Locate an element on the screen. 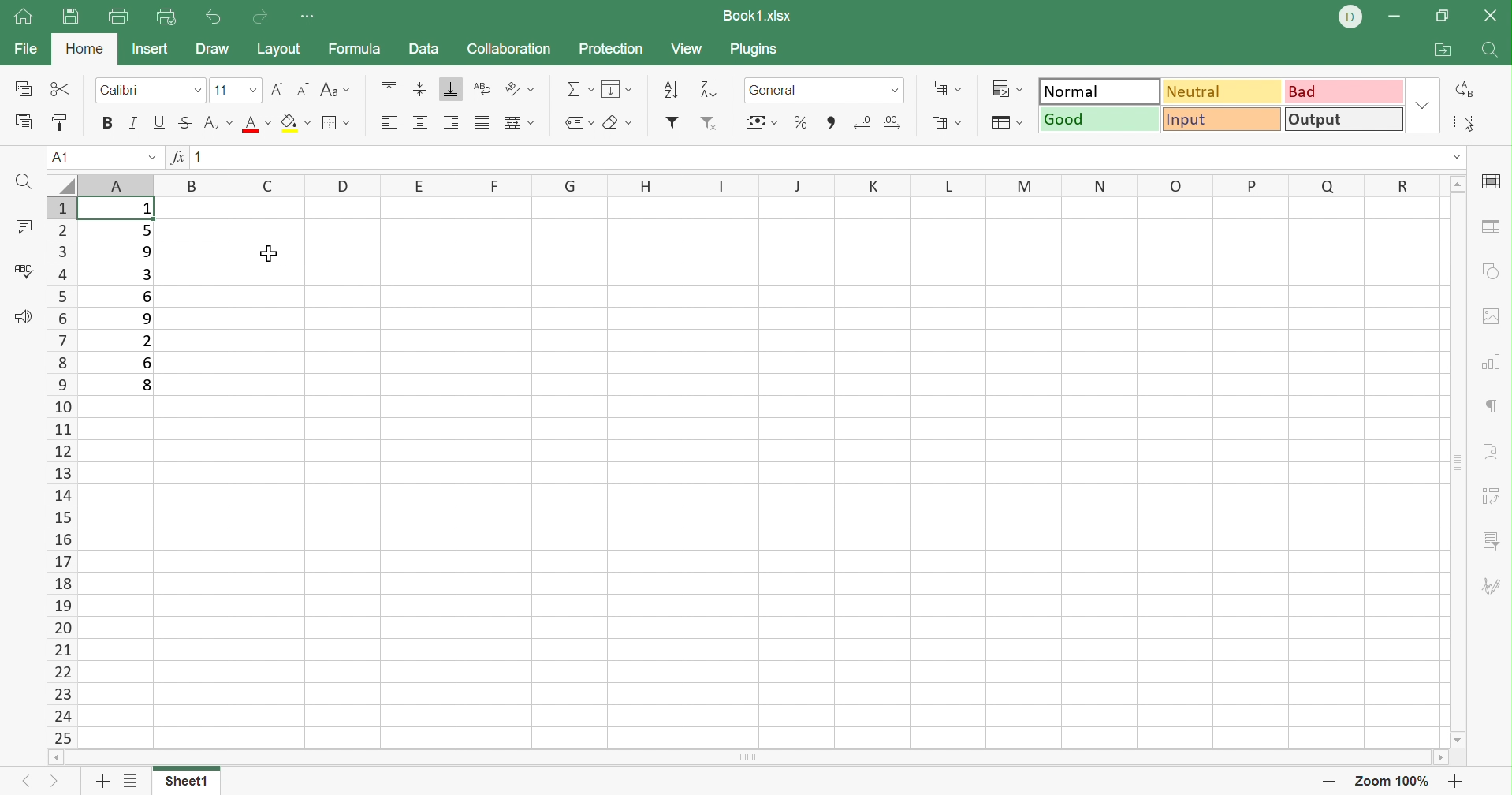  Copy style is located at coordinates (61, 125).